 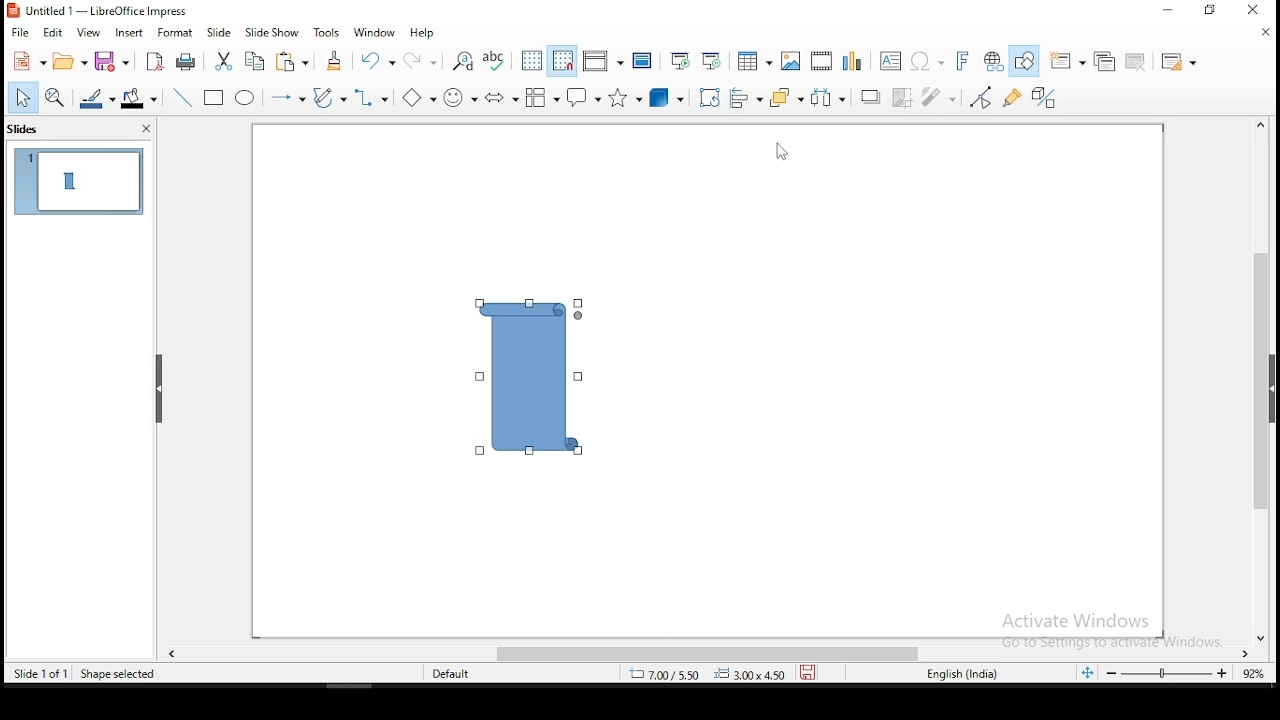 What do you see at coordinates (55, 95) in the screenshot?
I see `zoom and pan` at bounding box center [55, 95].